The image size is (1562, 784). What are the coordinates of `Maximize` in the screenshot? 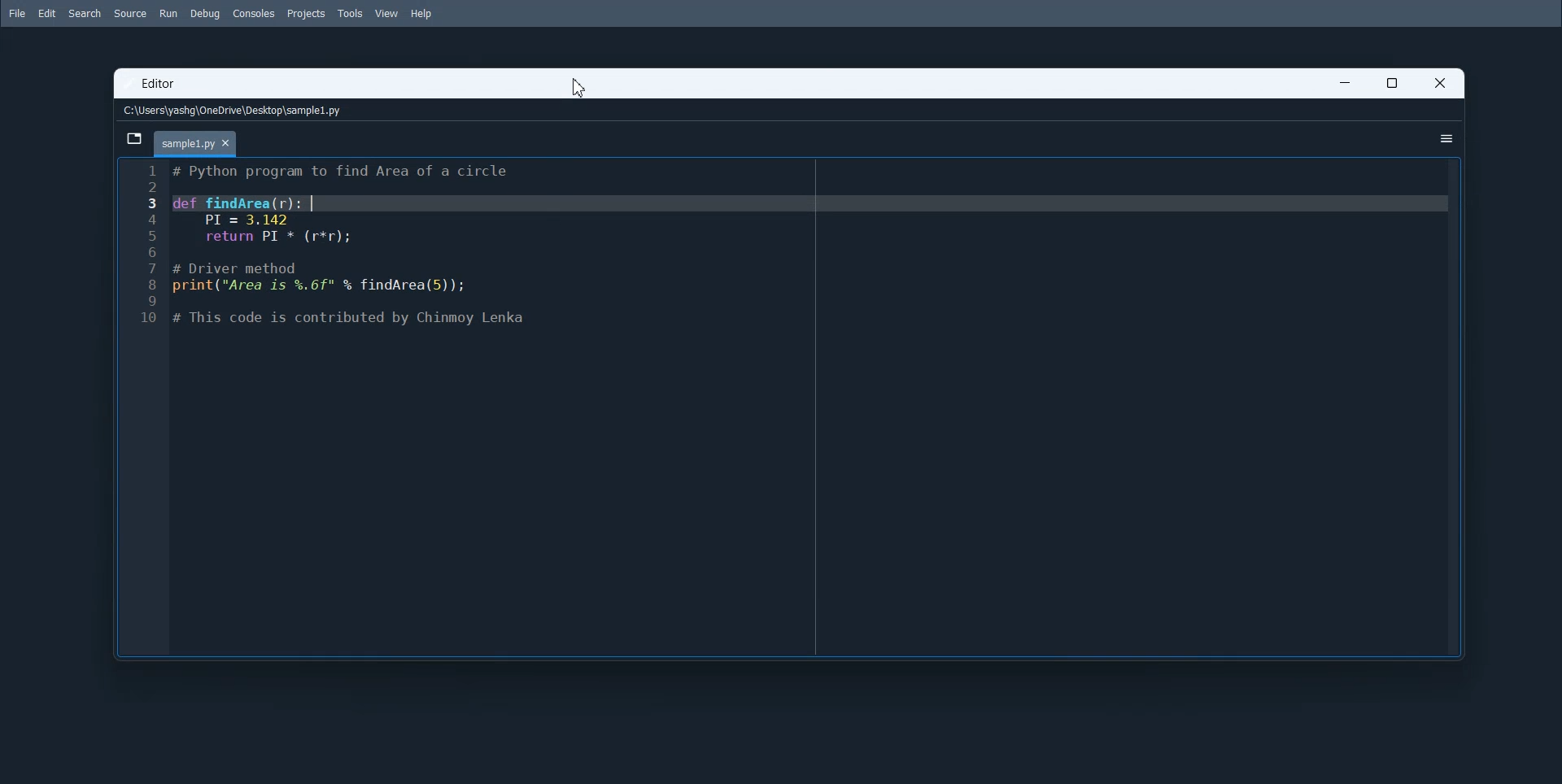 It's located at (1391, 82).